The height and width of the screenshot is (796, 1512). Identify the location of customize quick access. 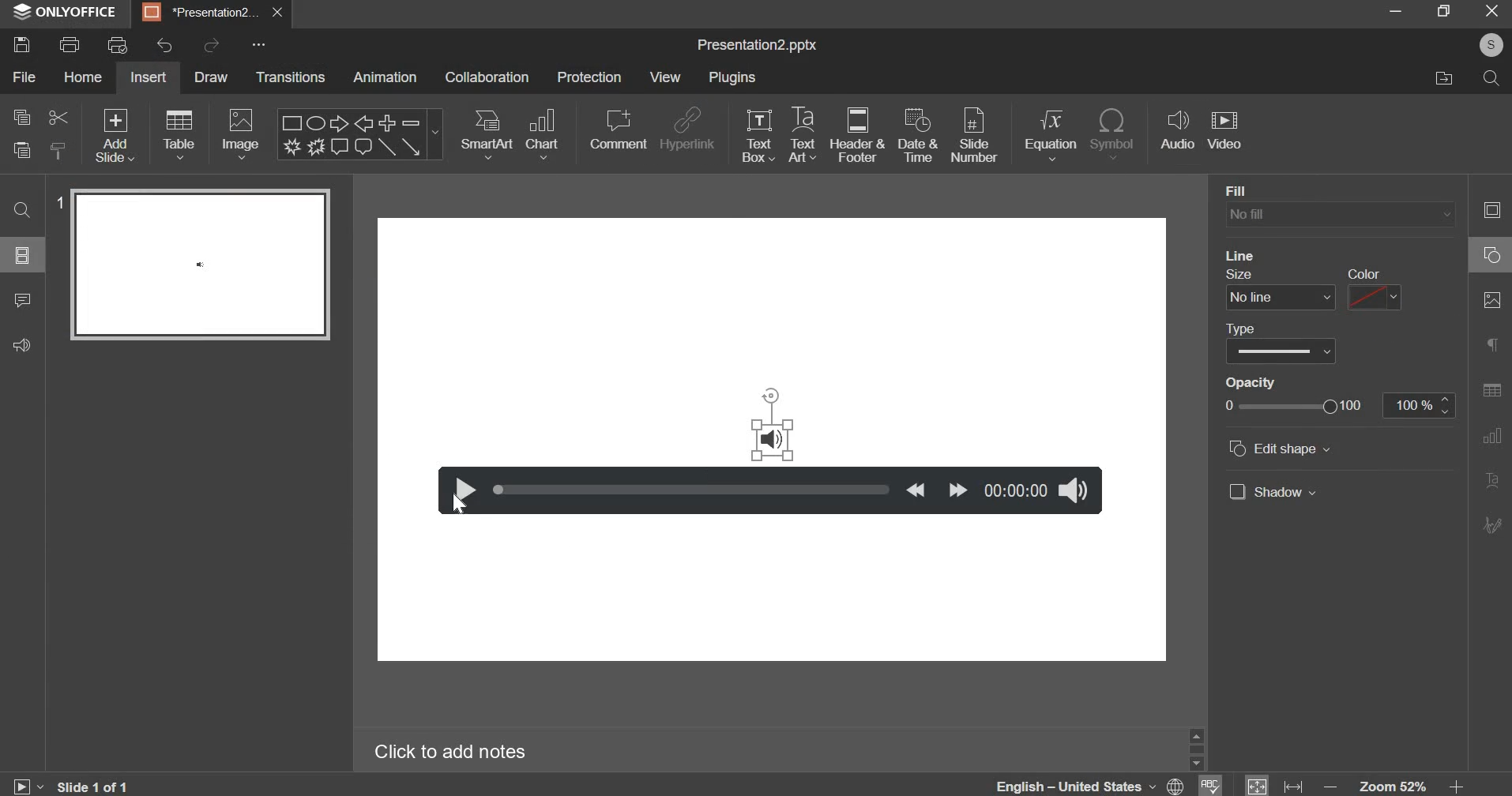
(257, 44).